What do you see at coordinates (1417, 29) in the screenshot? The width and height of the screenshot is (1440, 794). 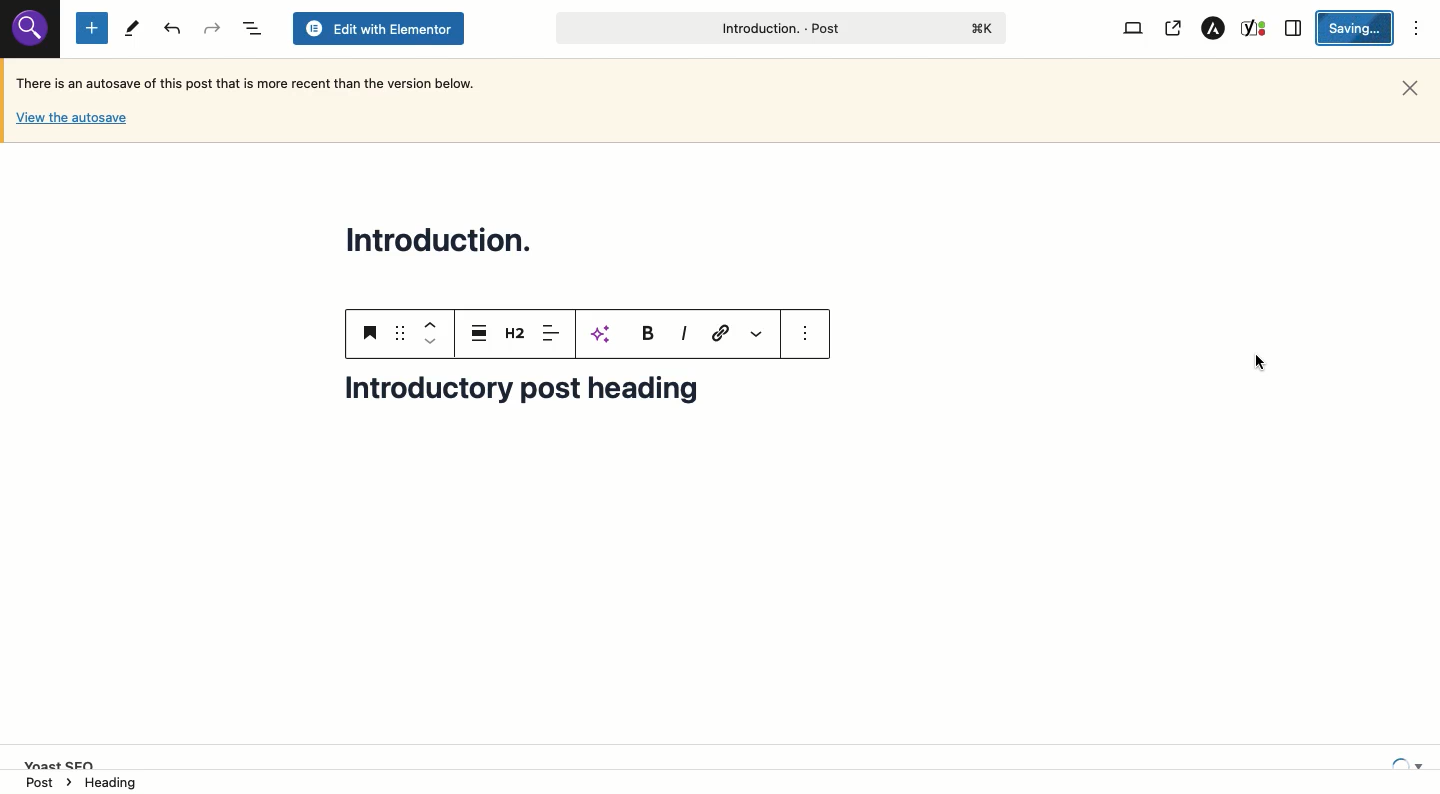 I see `Options` at bounding box center [1417, 29].